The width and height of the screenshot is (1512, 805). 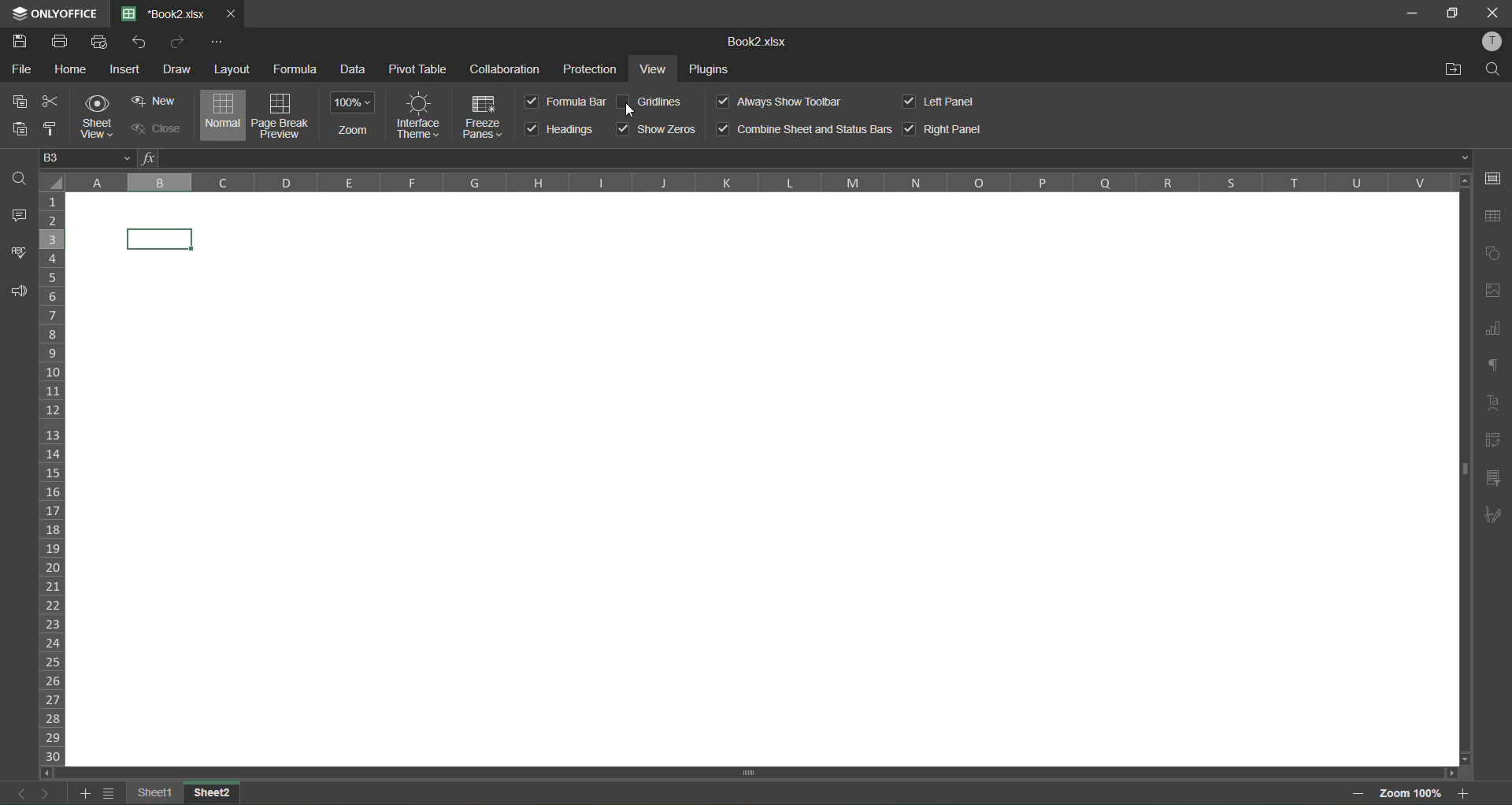 What do you see at coordinates (565, 102) in the screenshot?
I see `formula bar` at bounding box center [565, 102].